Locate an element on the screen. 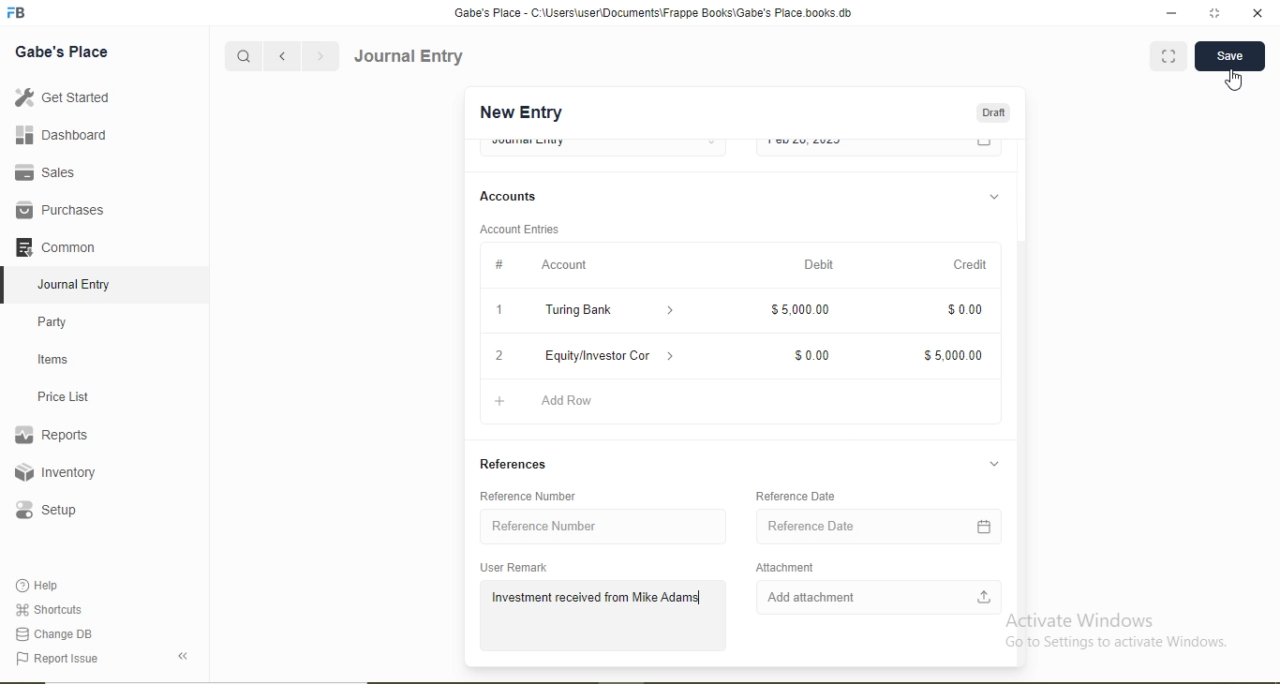  # is located at coordinates (499, 266).